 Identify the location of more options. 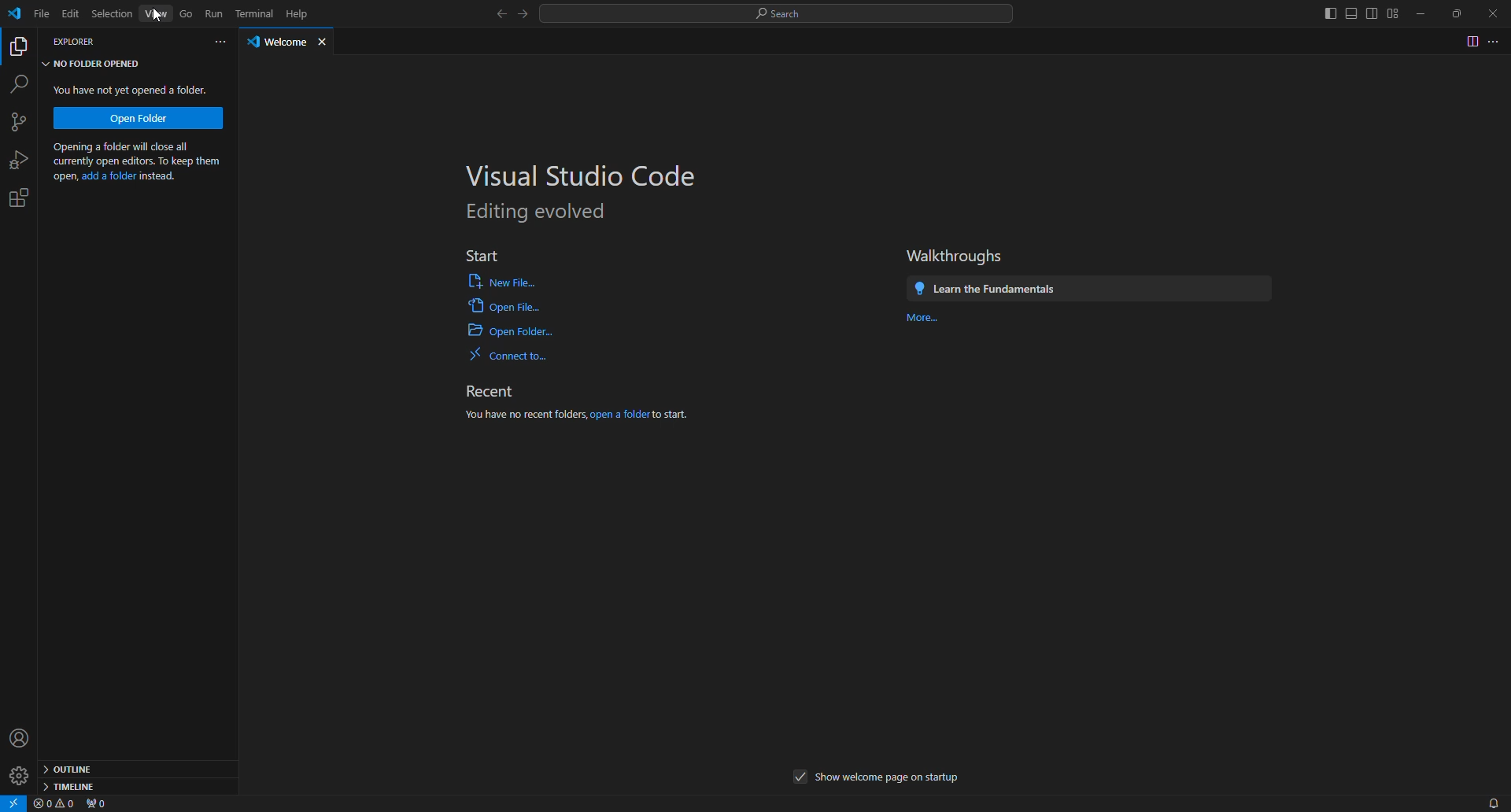
(205, 45).